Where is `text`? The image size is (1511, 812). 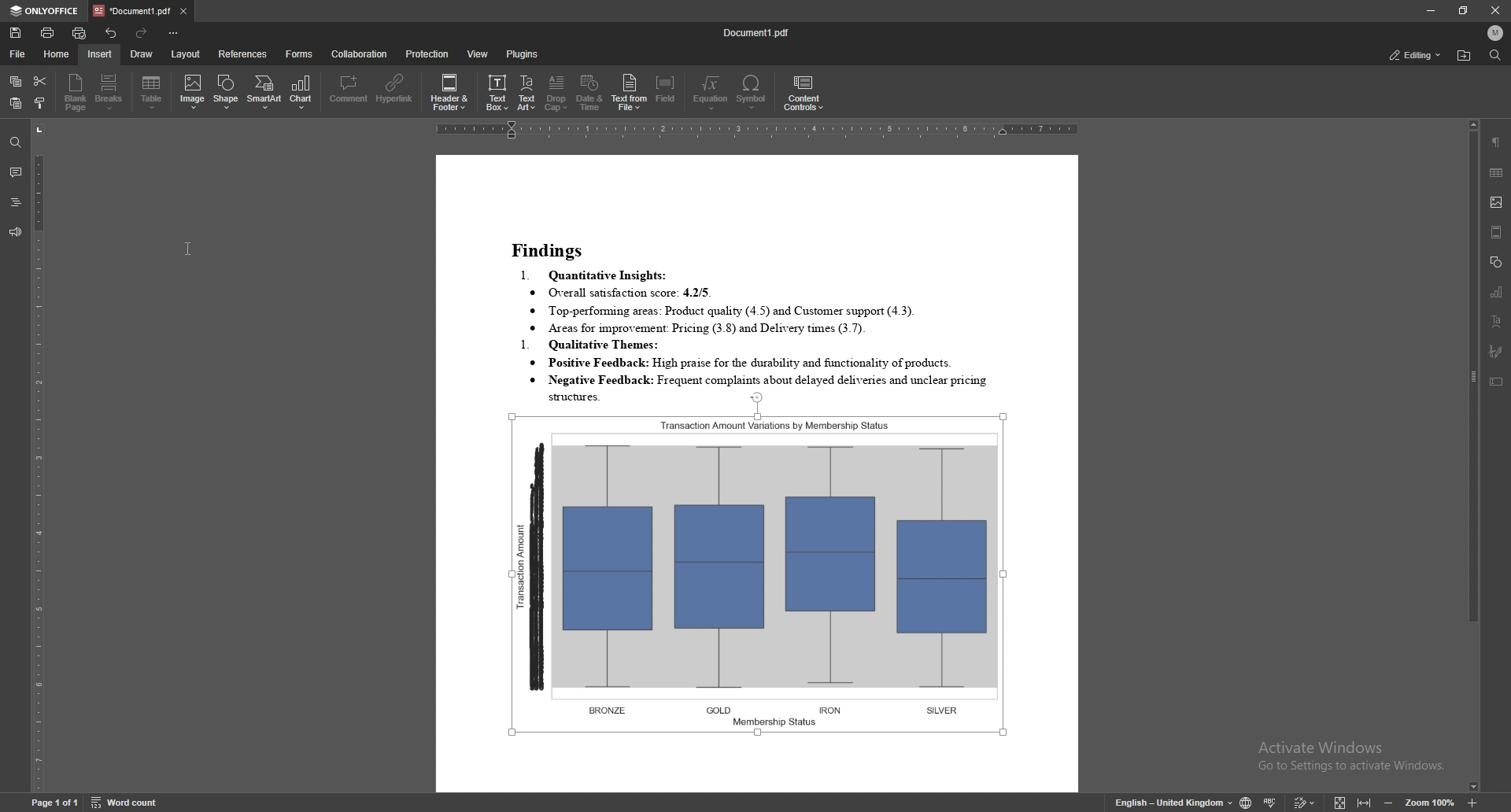
text is located at coordinates (760, 317).